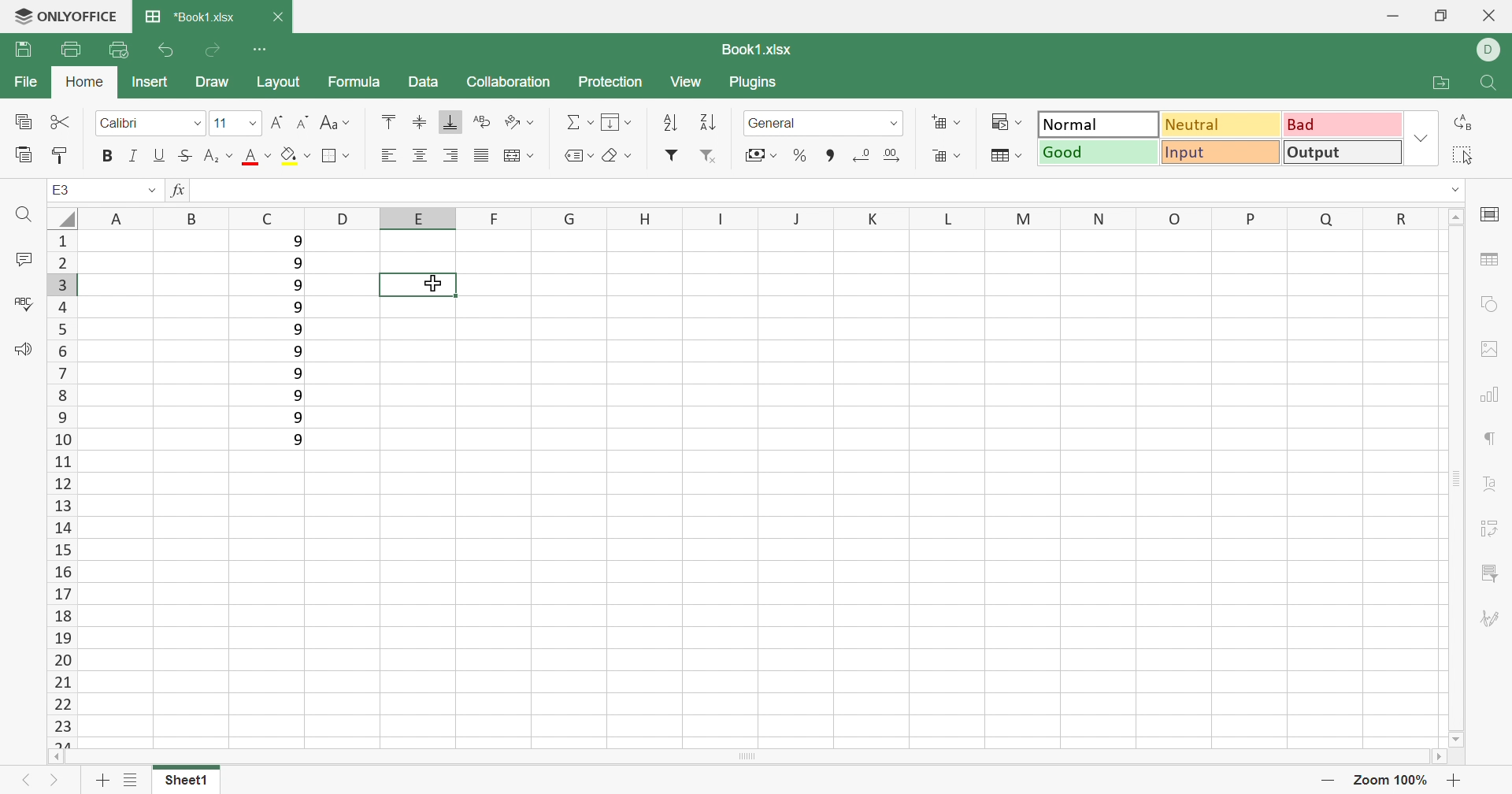 The image size is (1512, 794). What do you see at coordinates (1330, 779) in the screenshot?
I see `Zoom out` at bounding box center [1330, 779].